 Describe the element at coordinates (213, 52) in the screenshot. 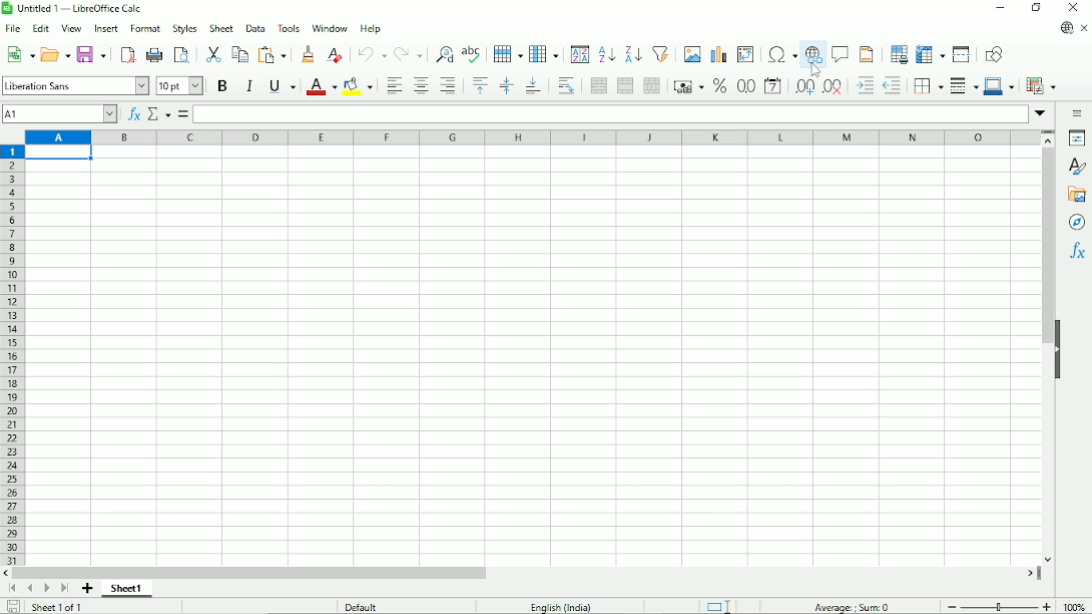

I see `Cut` at that location.